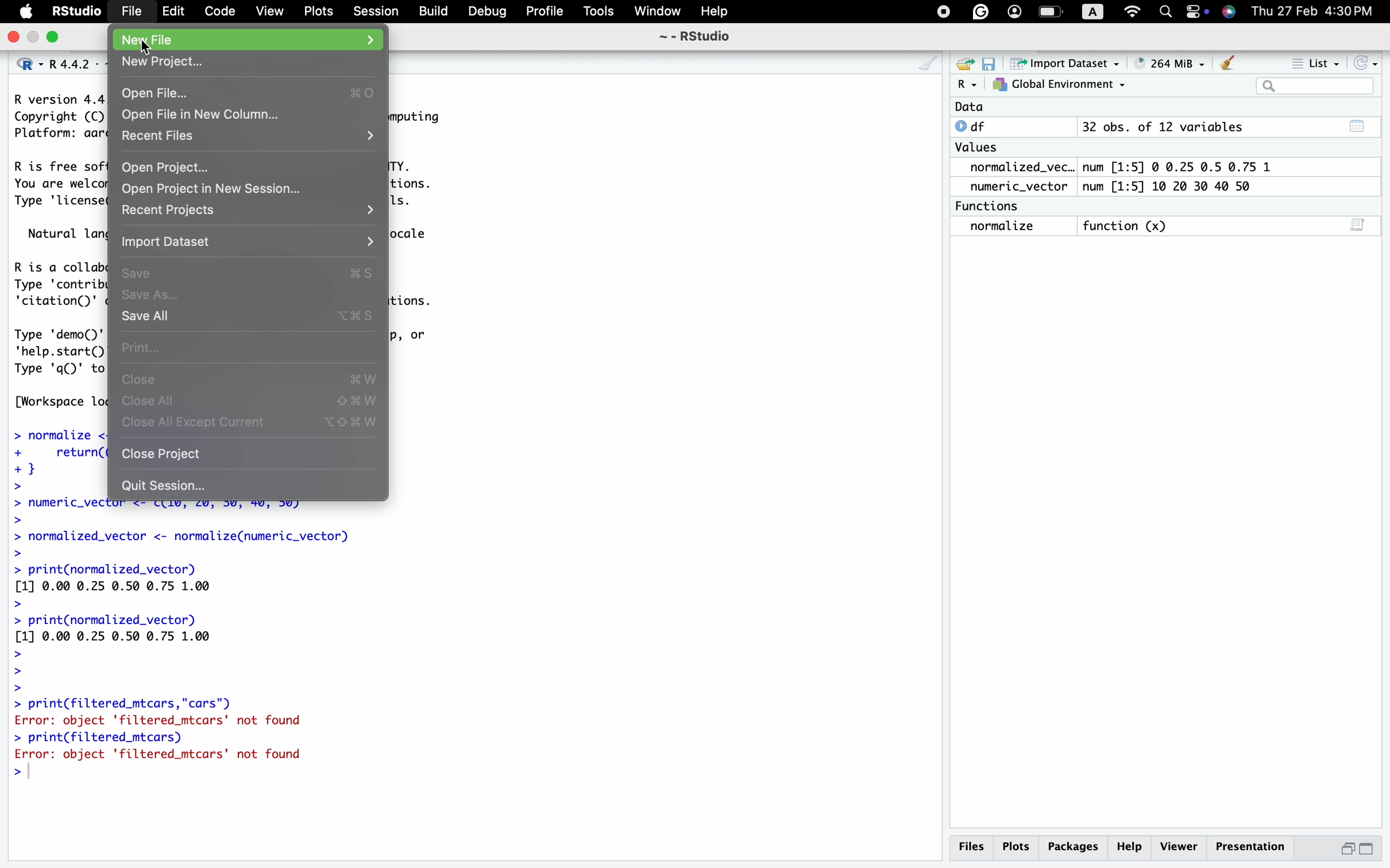 The image size is (1390, 868). What do you see at coordinates (1001, 227) in the screenshot?
I see `normalize` at bounding box center [1001, 227].